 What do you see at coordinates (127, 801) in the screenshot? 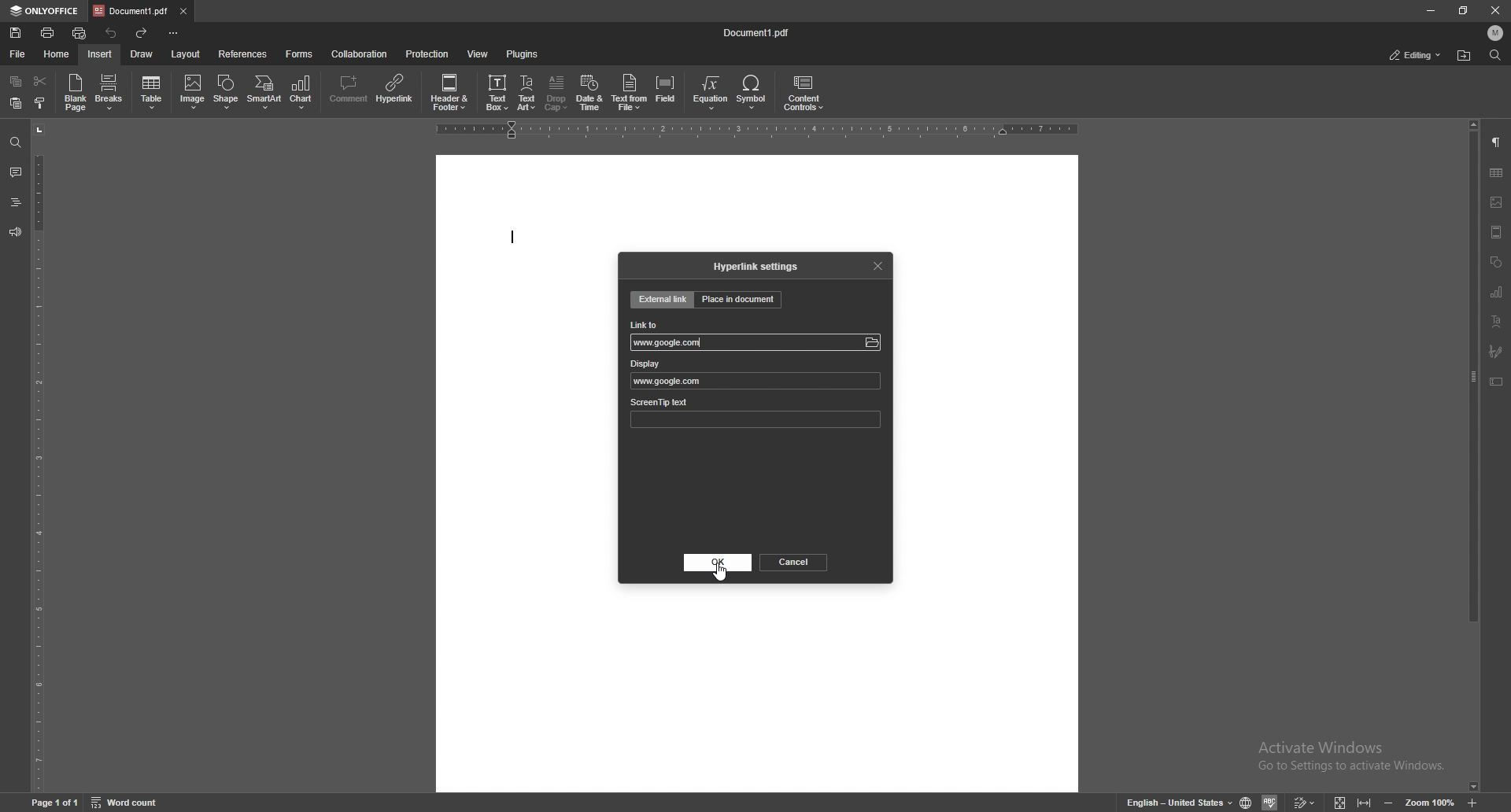
I see `word count` at bounding box center [127, 801].